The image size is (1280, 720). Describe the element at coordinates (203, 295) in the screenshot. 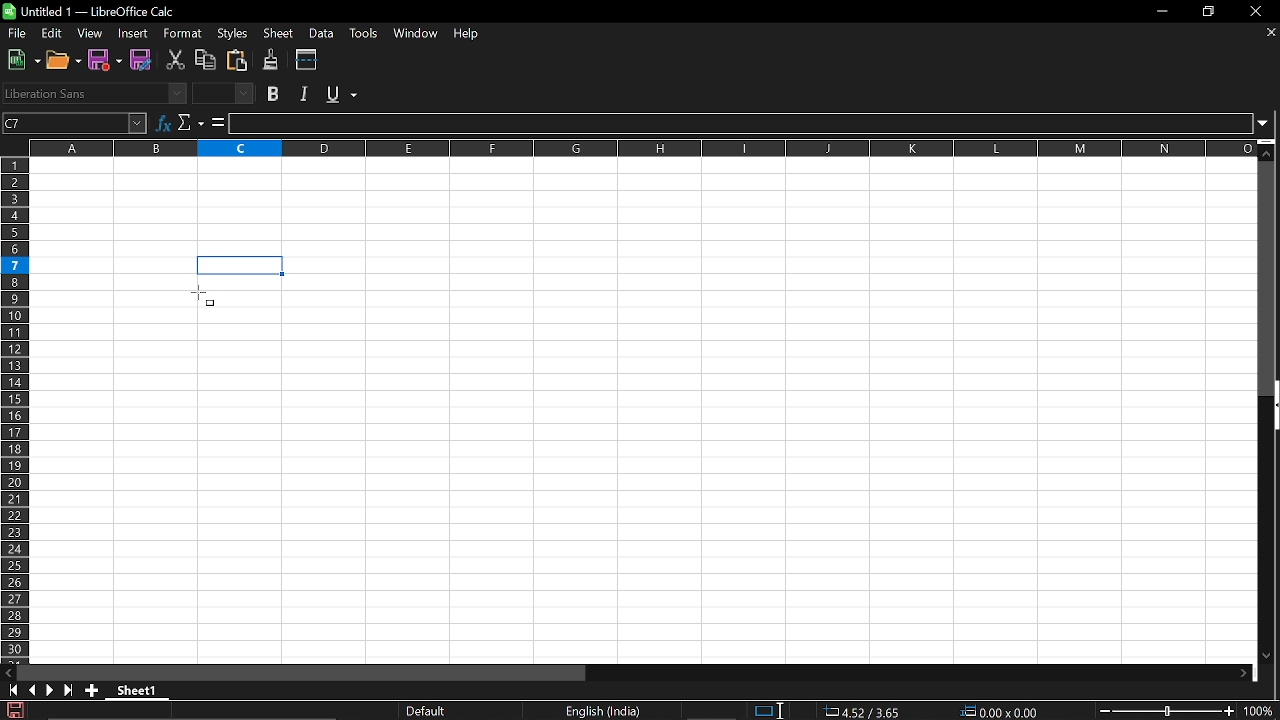

I see `Cursor` at that location.